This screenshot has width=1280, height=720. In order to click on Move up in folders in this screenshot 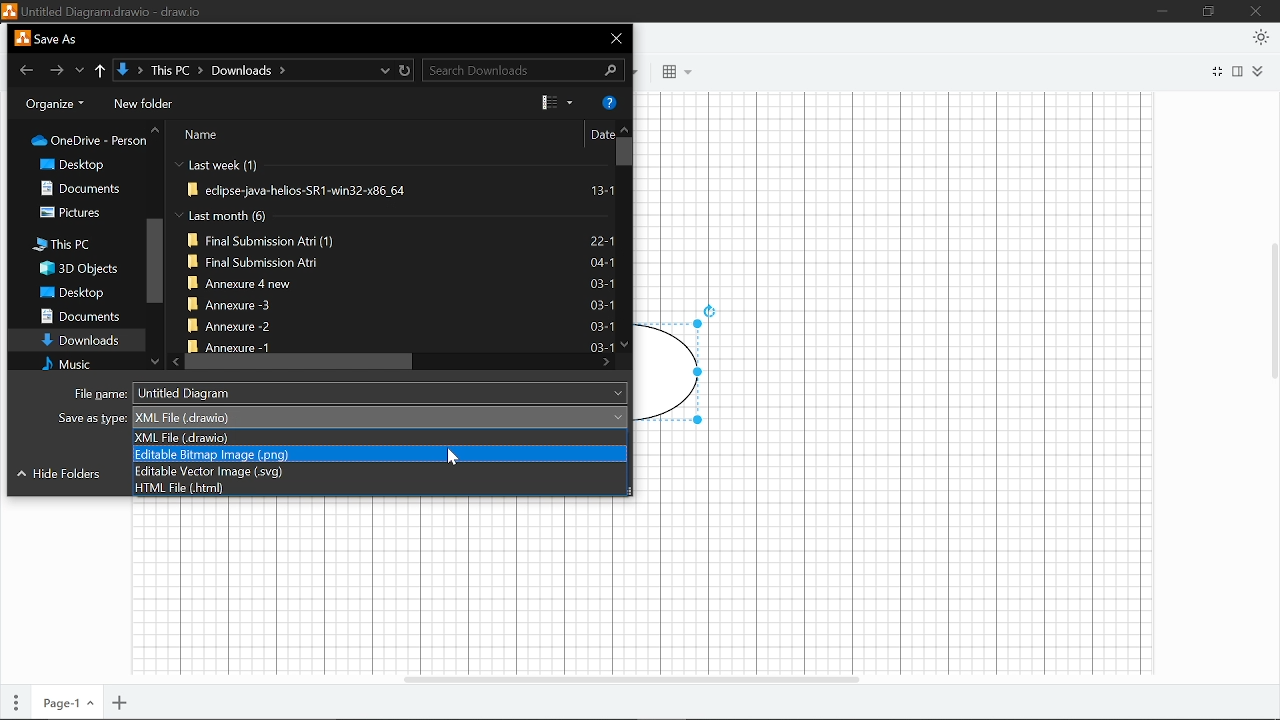, I will do `click(157, 129)`.